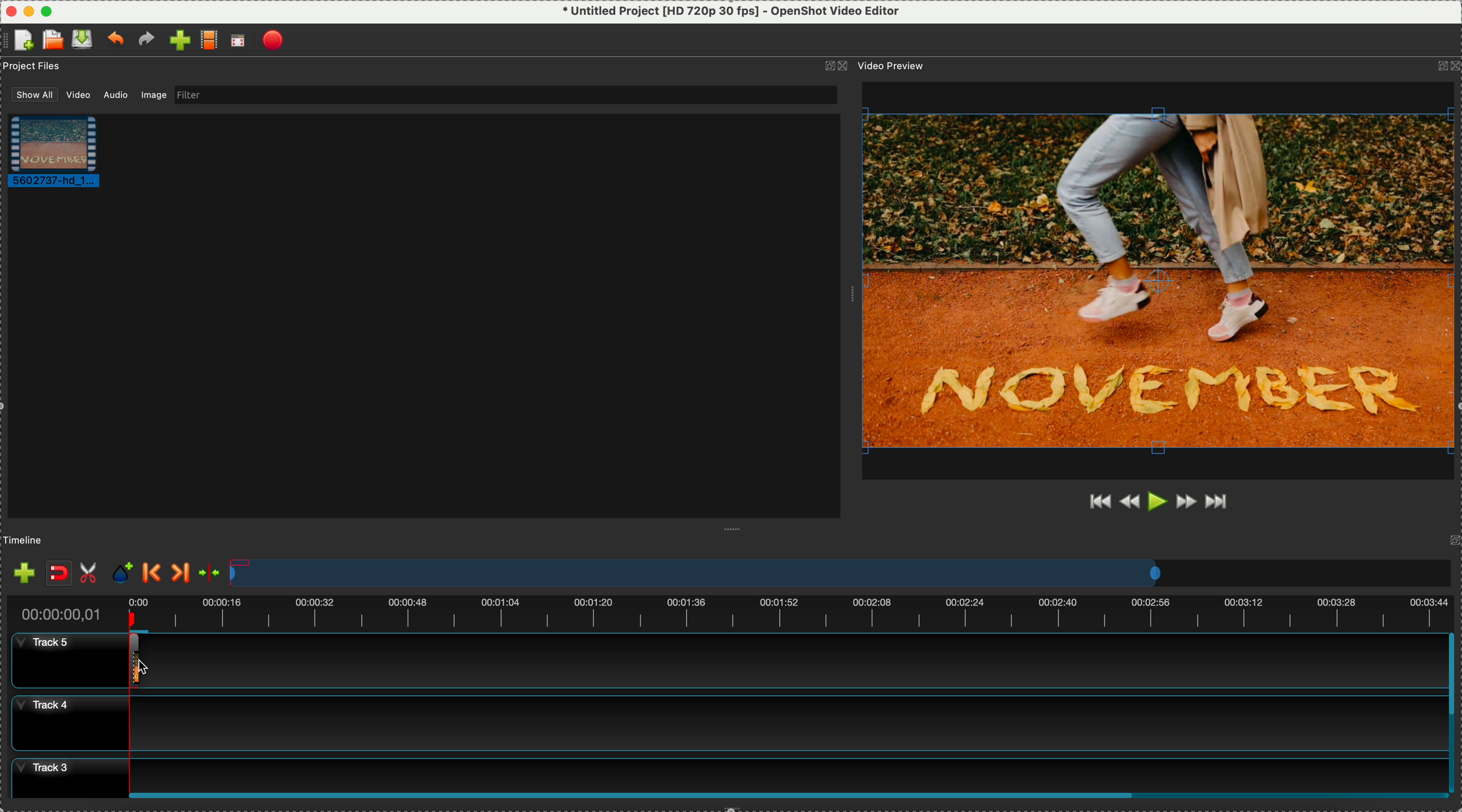 This screenshot has width=1462, height=812. Describe the element at coordinates (899, 66) in the screenshot. I see `video preview` at that location.